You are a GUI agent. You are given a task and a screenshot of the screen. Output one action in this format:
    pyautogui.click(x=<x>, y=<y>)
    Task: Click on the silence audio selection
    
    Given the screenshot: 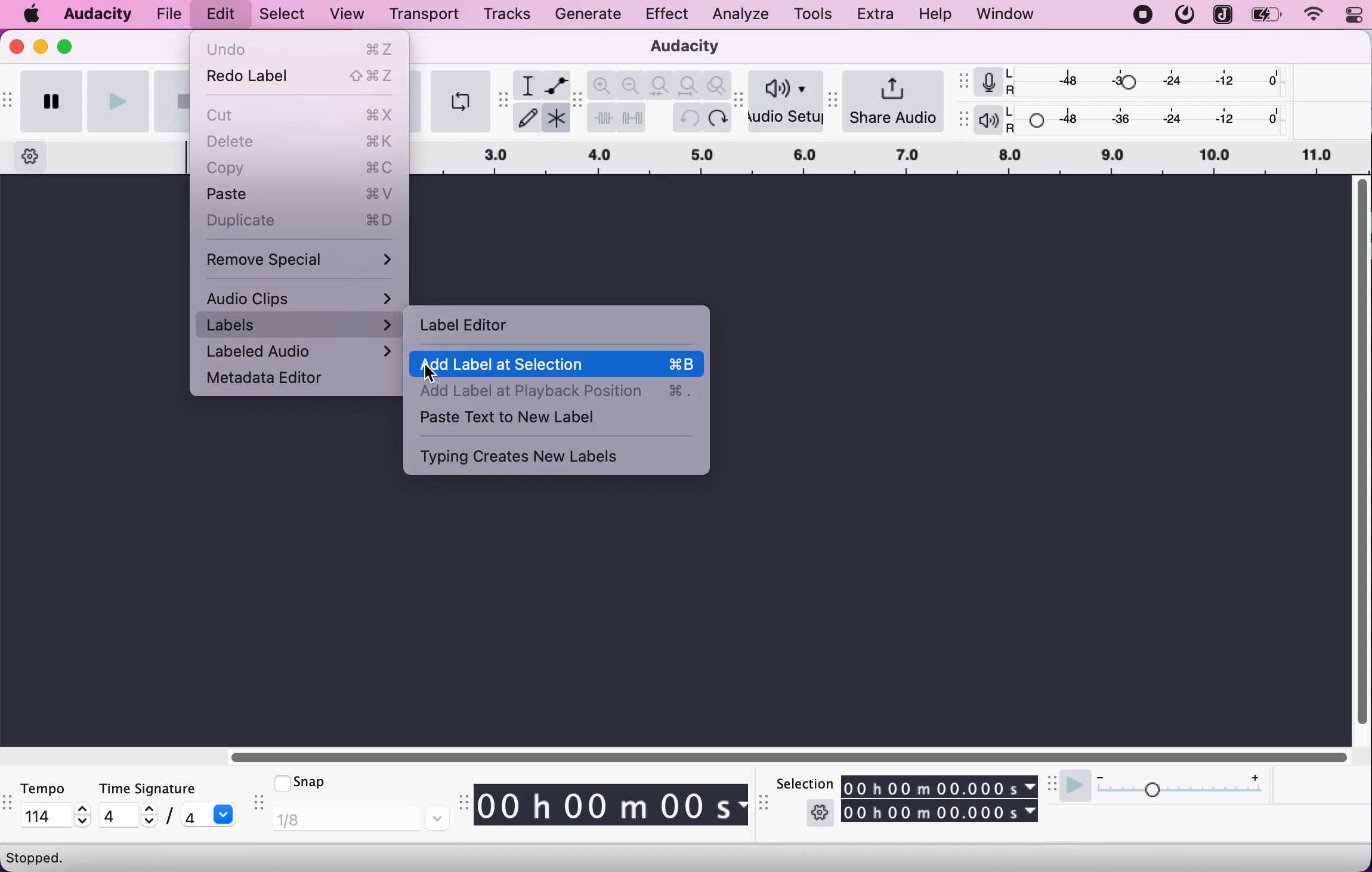 What is the action you would take?
    pyautogui.click(x=632, y=117)
    